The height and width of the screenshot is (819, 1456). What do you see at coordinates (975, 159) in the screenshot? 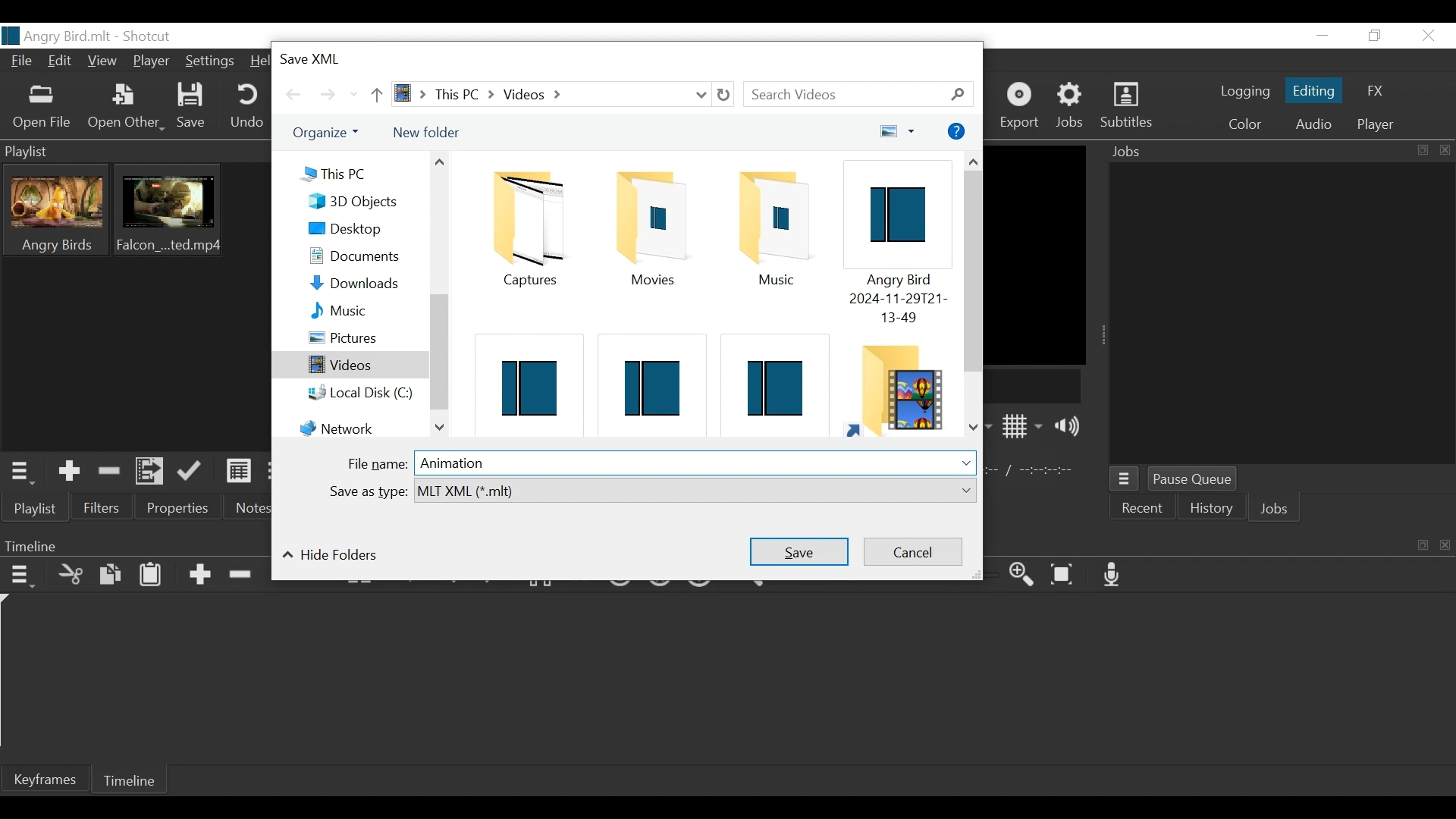
I see `Scroll up` at bounding box center [975, 159].